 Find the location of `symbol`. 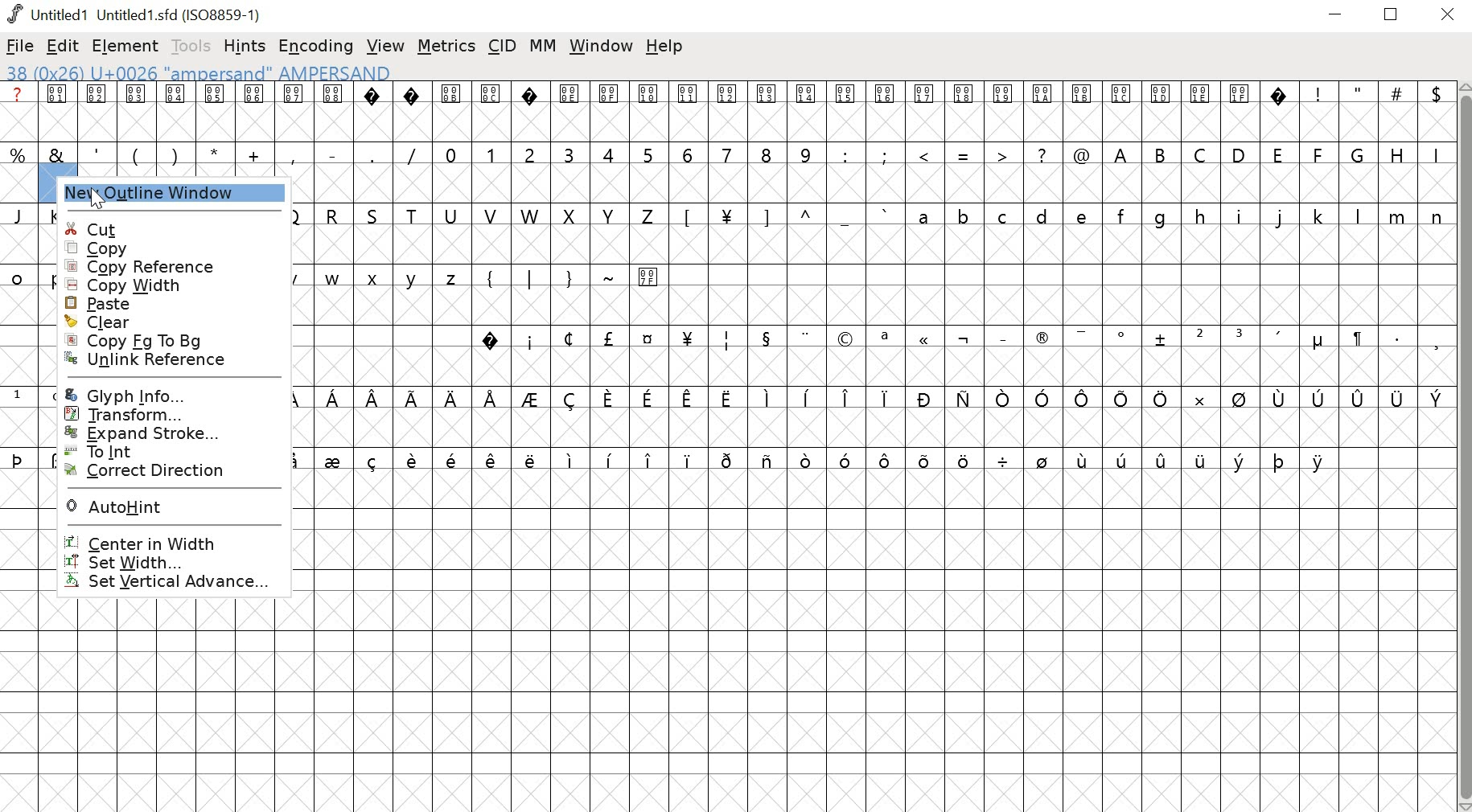

symbol is located at coordinates (610, 457).